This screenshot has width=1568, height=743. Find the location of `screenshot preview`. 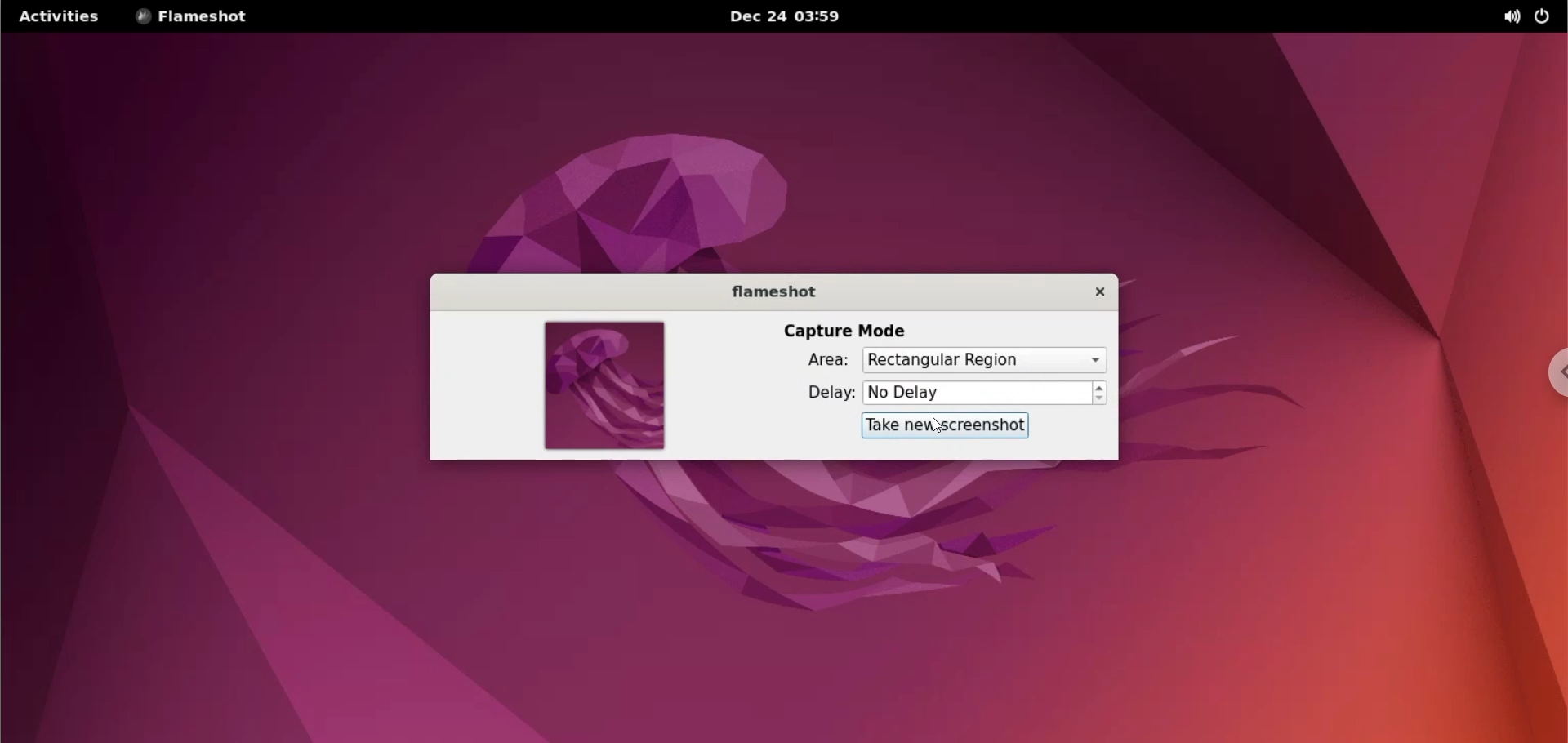

screenshot preview is located at coordinates (604, 387).